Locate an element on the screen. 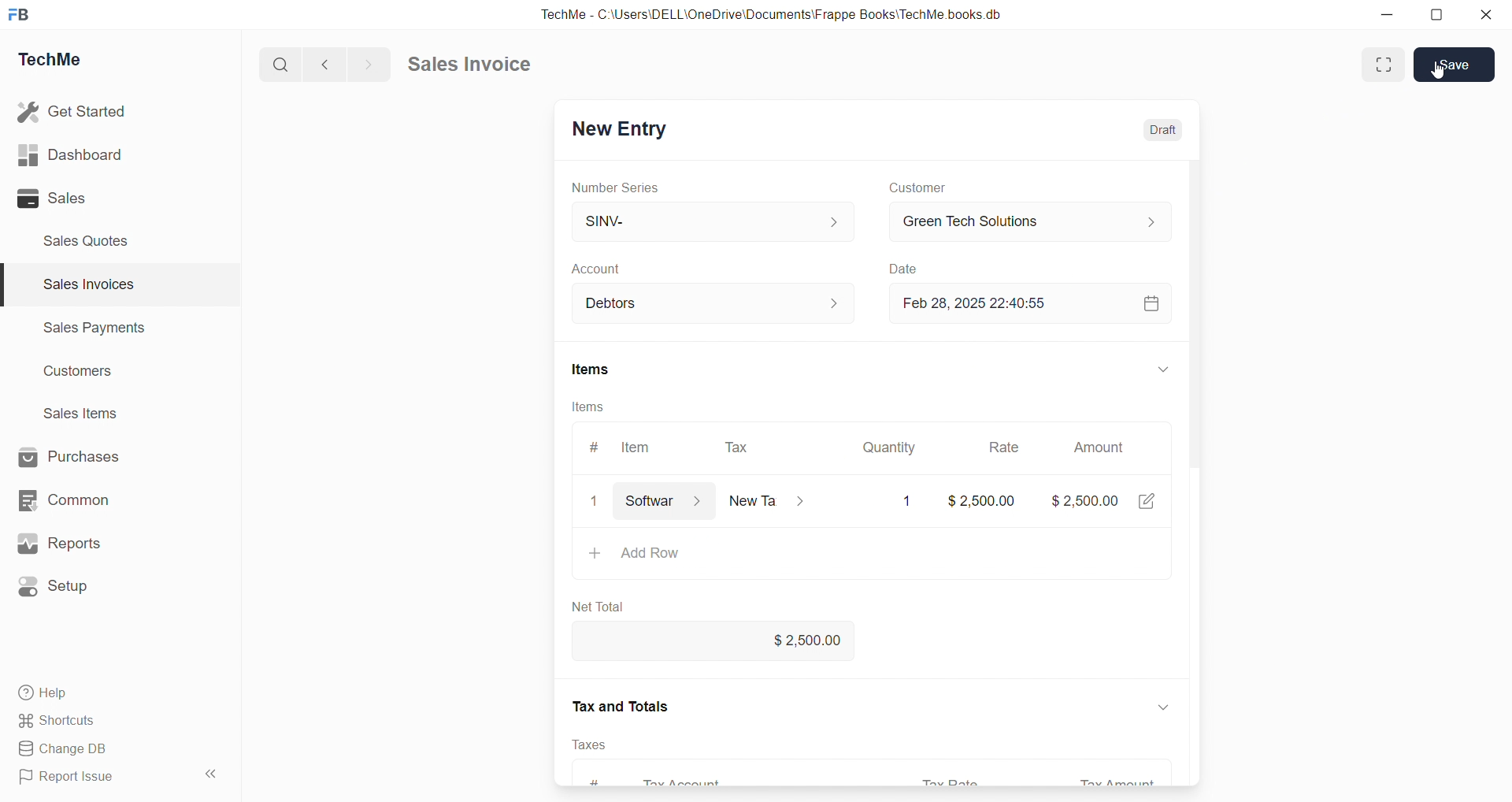 Image resolution: width=1512 pixels, height=802 pixels. SINV- is located at coordinates (713, 220).